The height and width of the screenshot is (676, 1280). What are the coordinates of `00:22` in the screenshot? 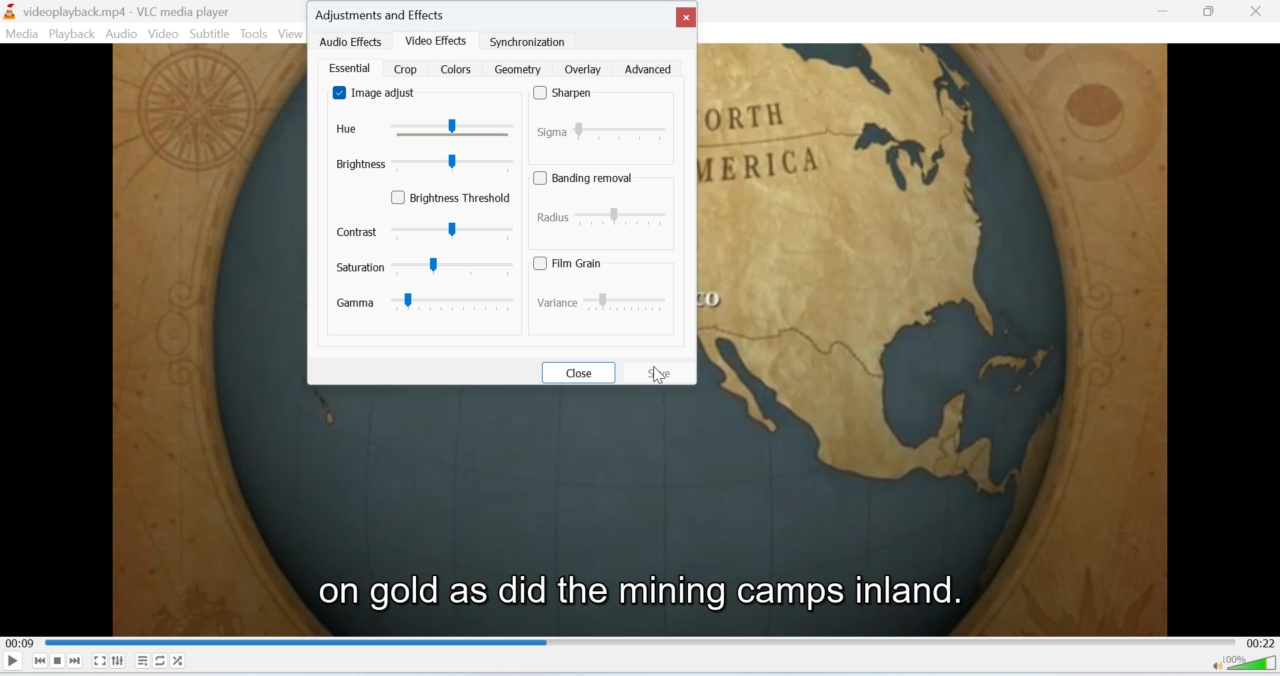 It's located at (1261, 642).